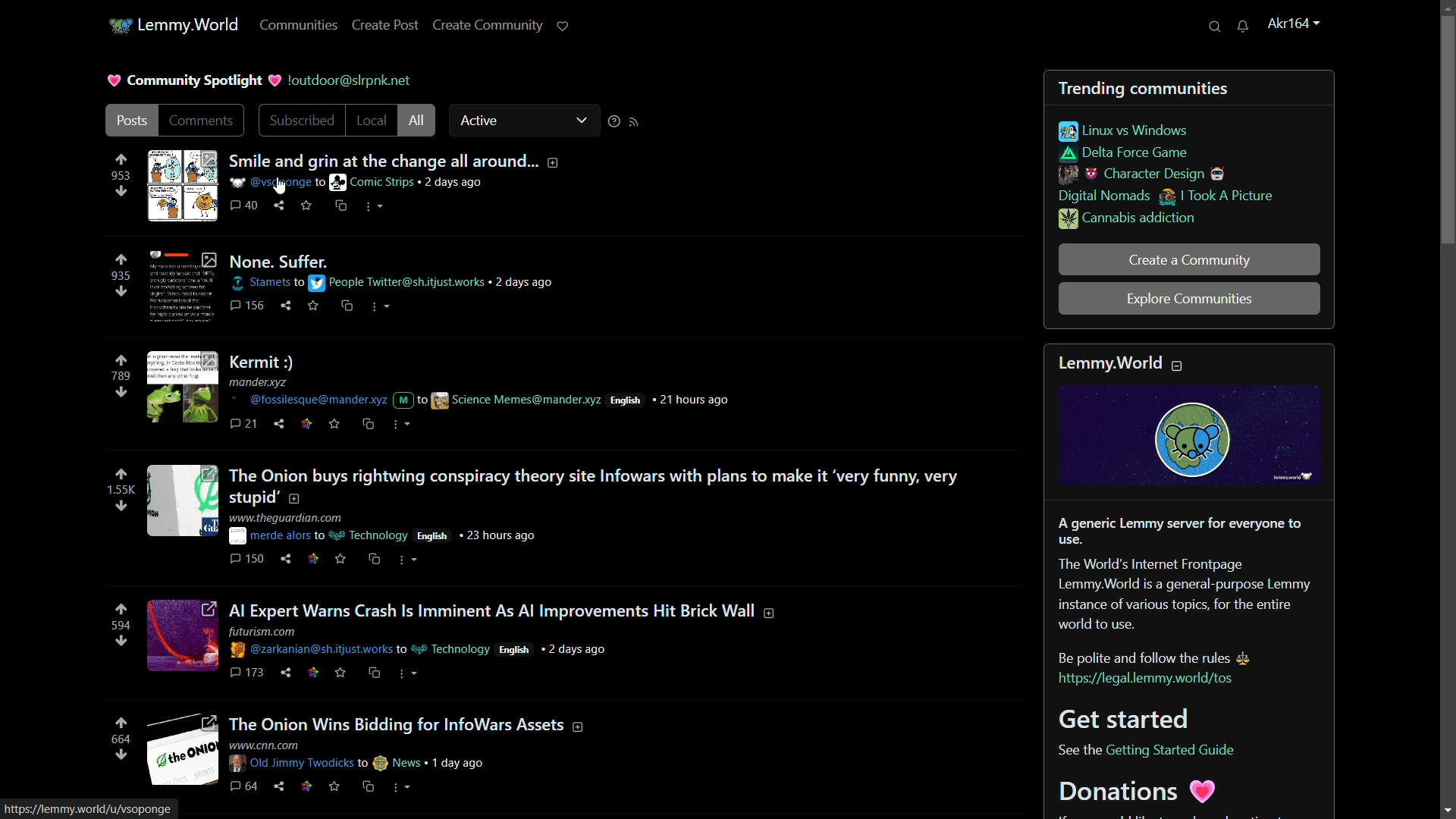 This screenshot has width=1456, height=819. I want to click on explore communities, so click(1190, 298).